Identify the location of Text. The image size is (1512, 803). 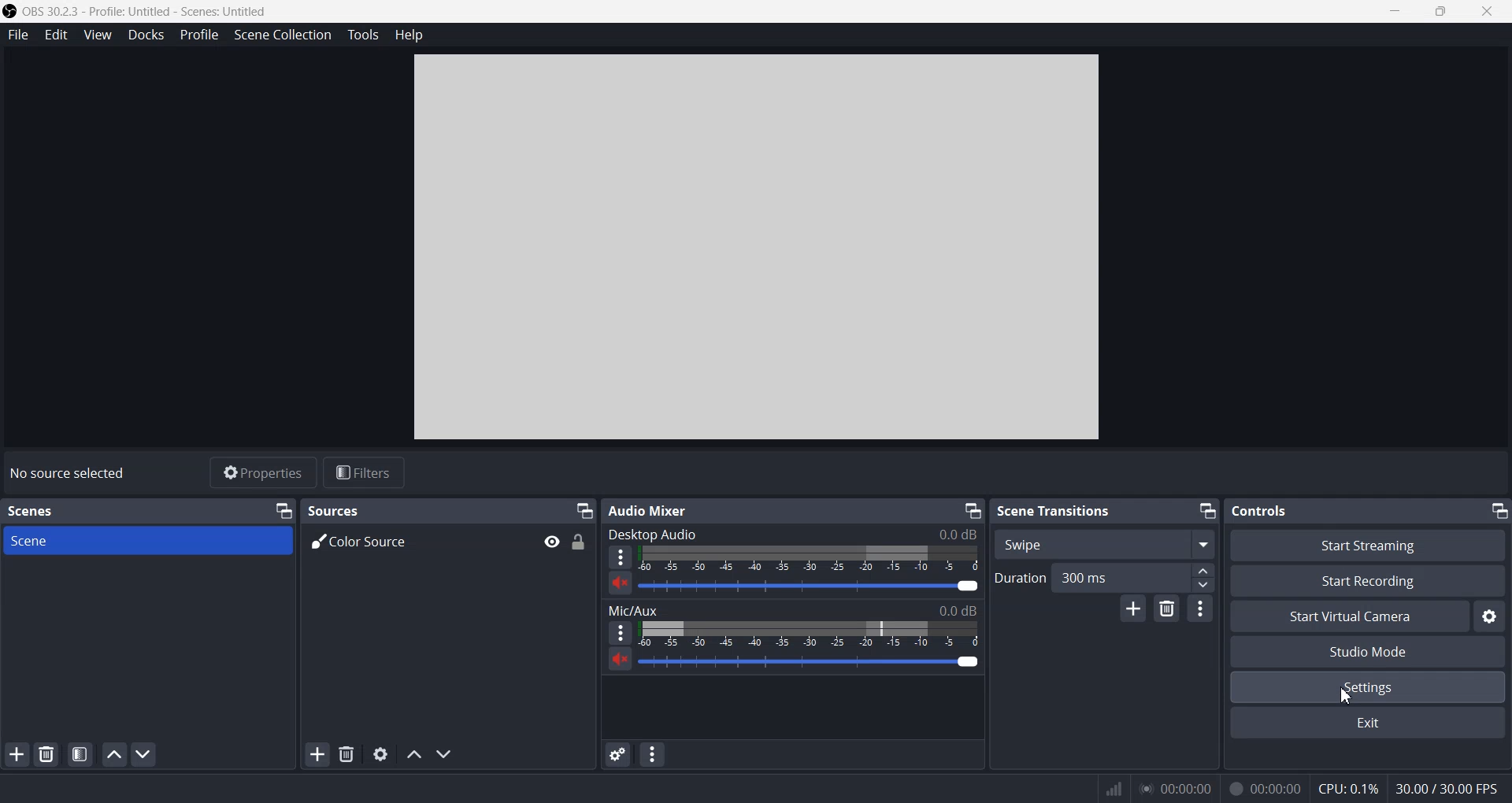
(33, 511).